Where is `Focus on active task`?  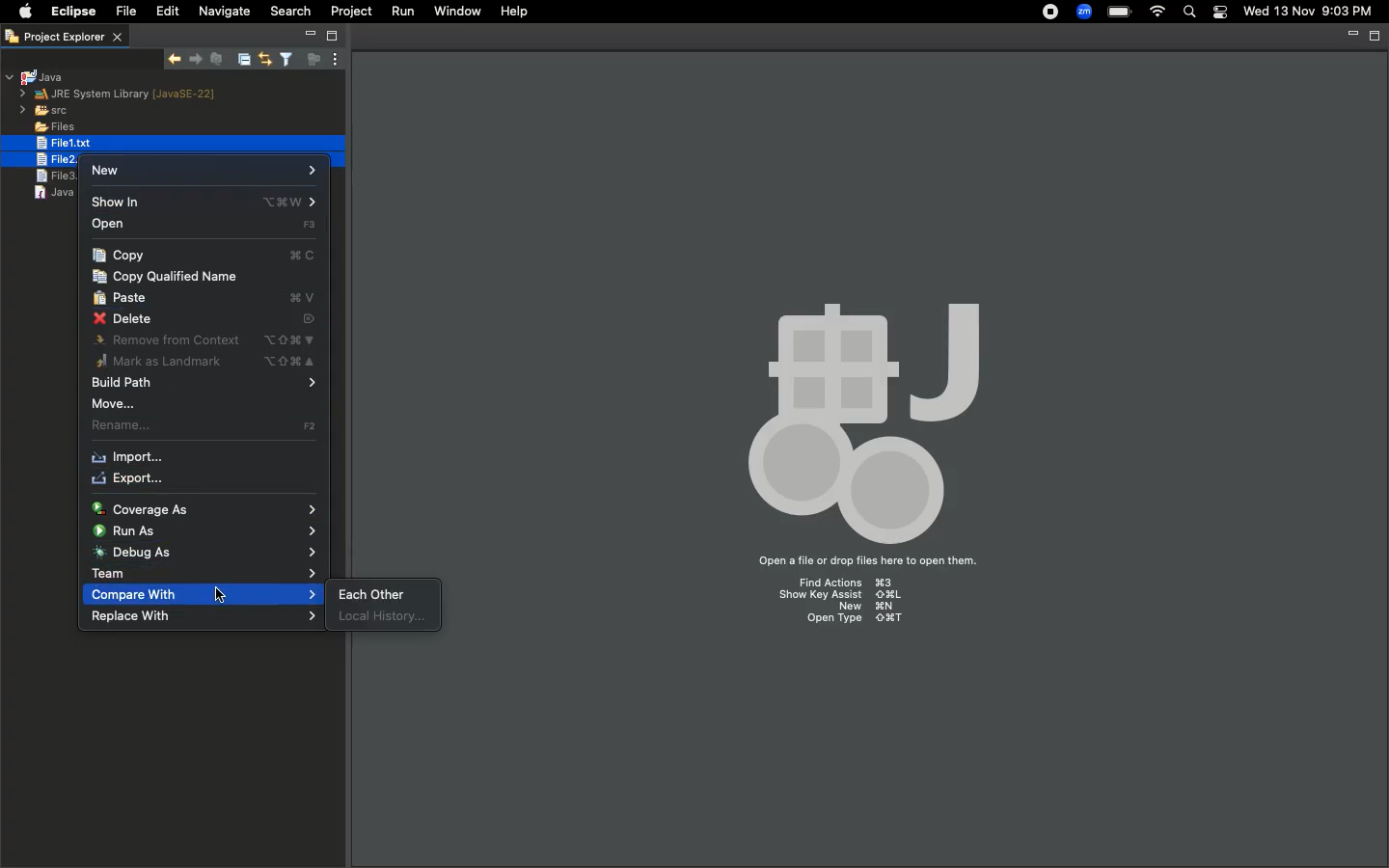
Focus on active task is located at coordinates (311, 60).